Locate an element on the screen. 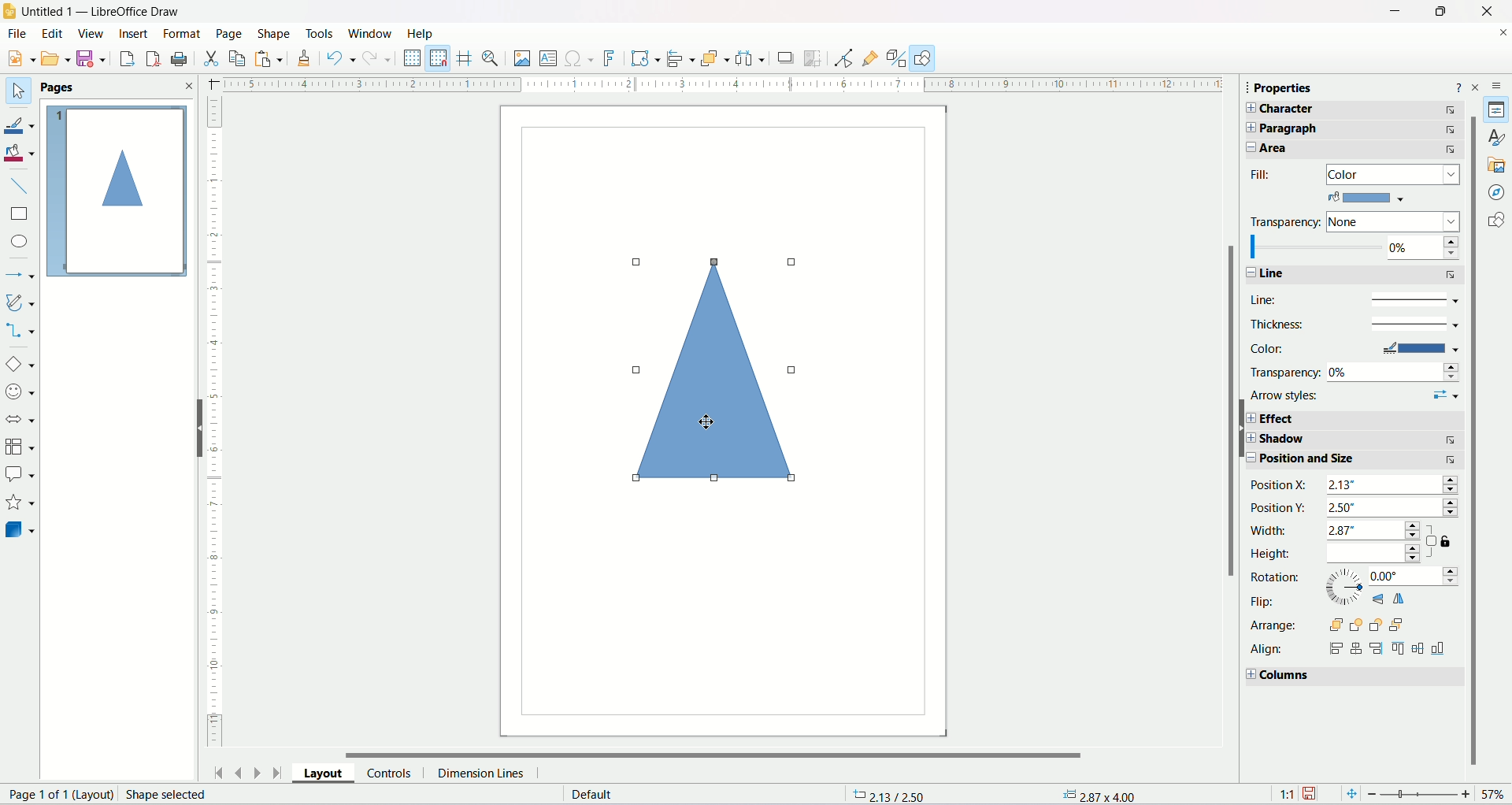  character is located at coordinates (1350, 111).